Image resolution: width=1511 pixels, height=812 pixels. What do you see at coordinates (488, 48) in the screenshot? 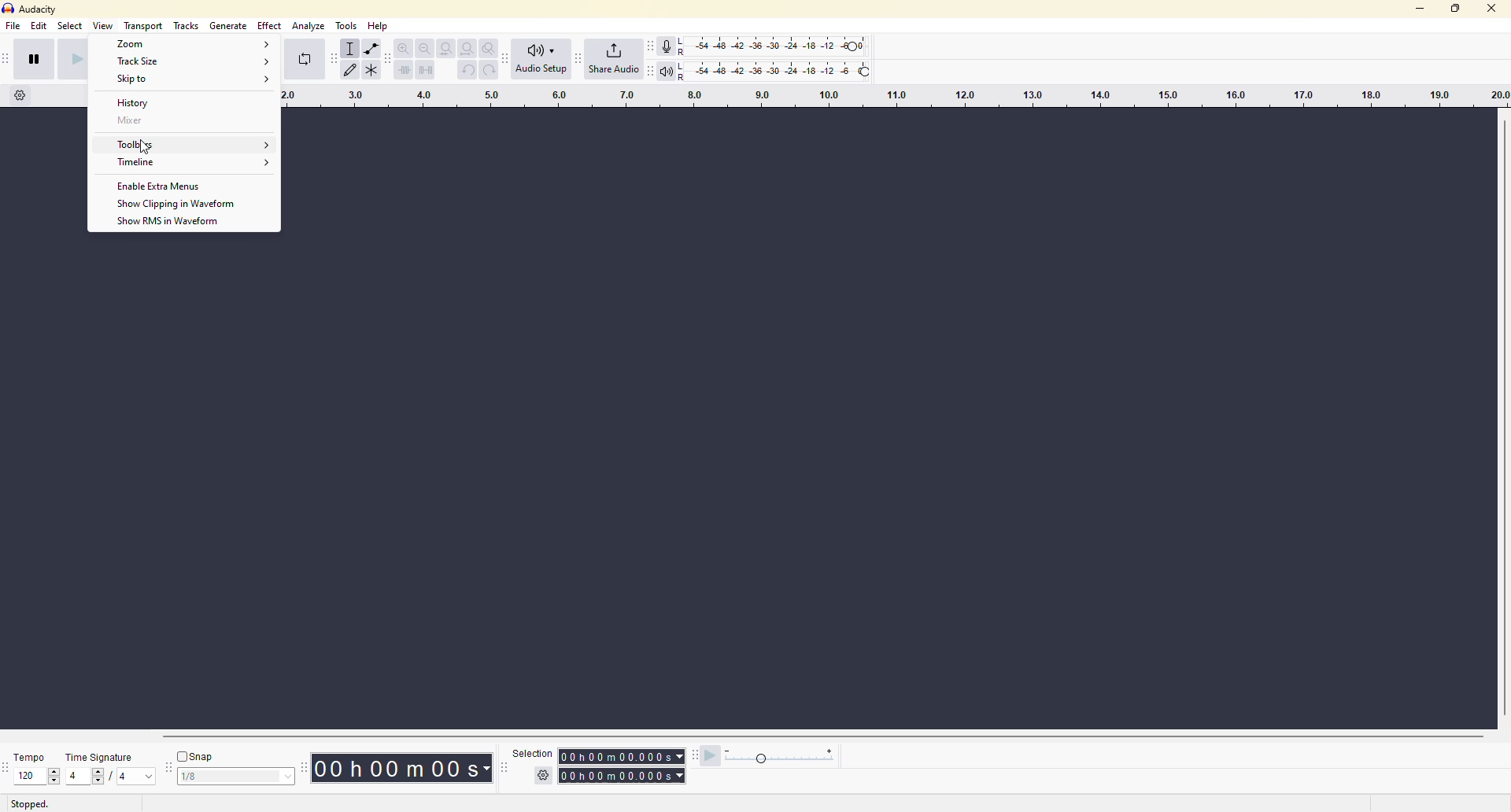
I see `zoom toggle` at bounding box center [488, 48].